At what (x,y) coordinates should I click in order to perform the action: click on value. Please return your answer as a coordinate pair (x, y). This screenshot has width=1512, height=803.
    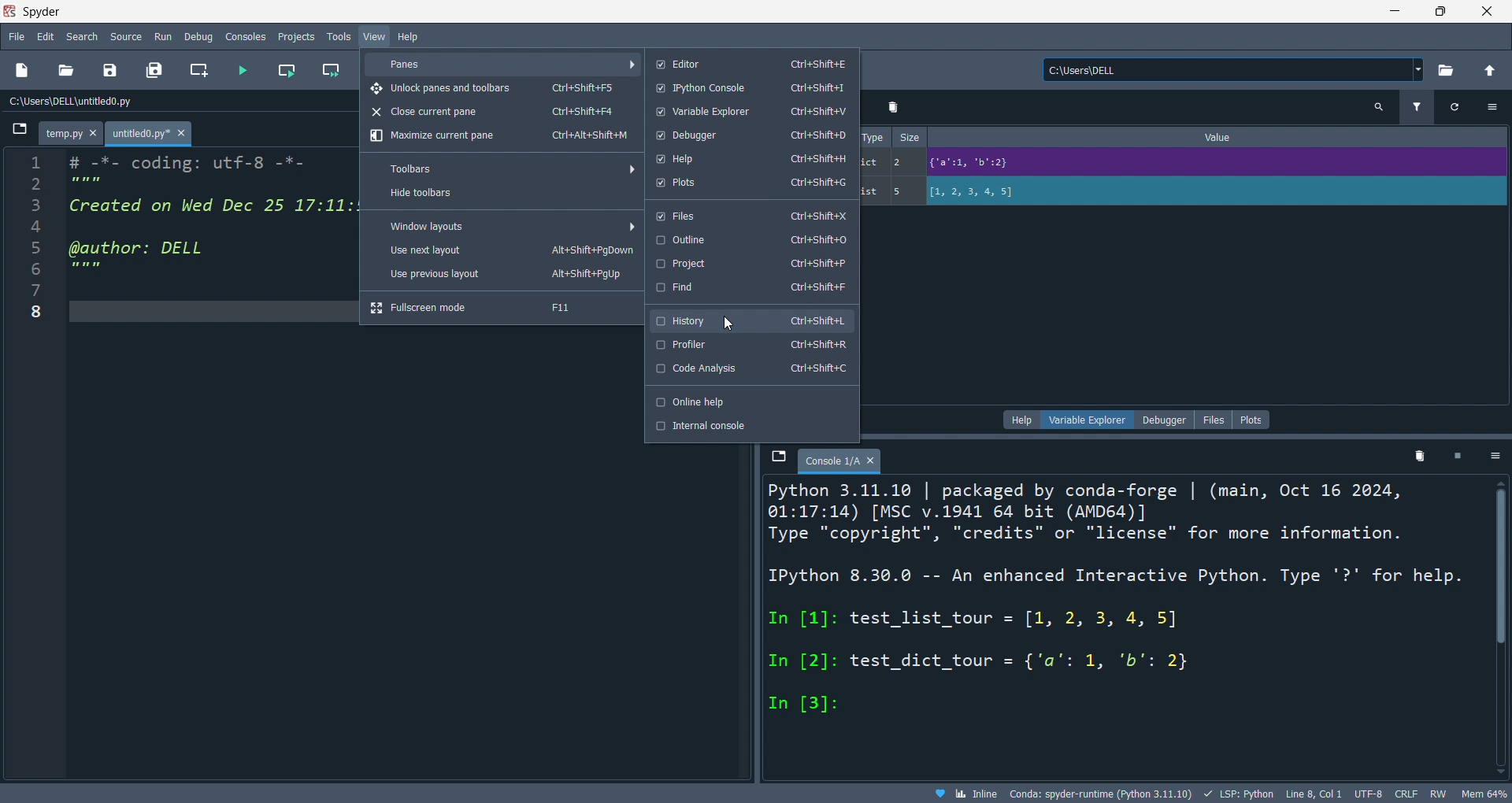
    Looking at the image, I should click on (1223, 137).